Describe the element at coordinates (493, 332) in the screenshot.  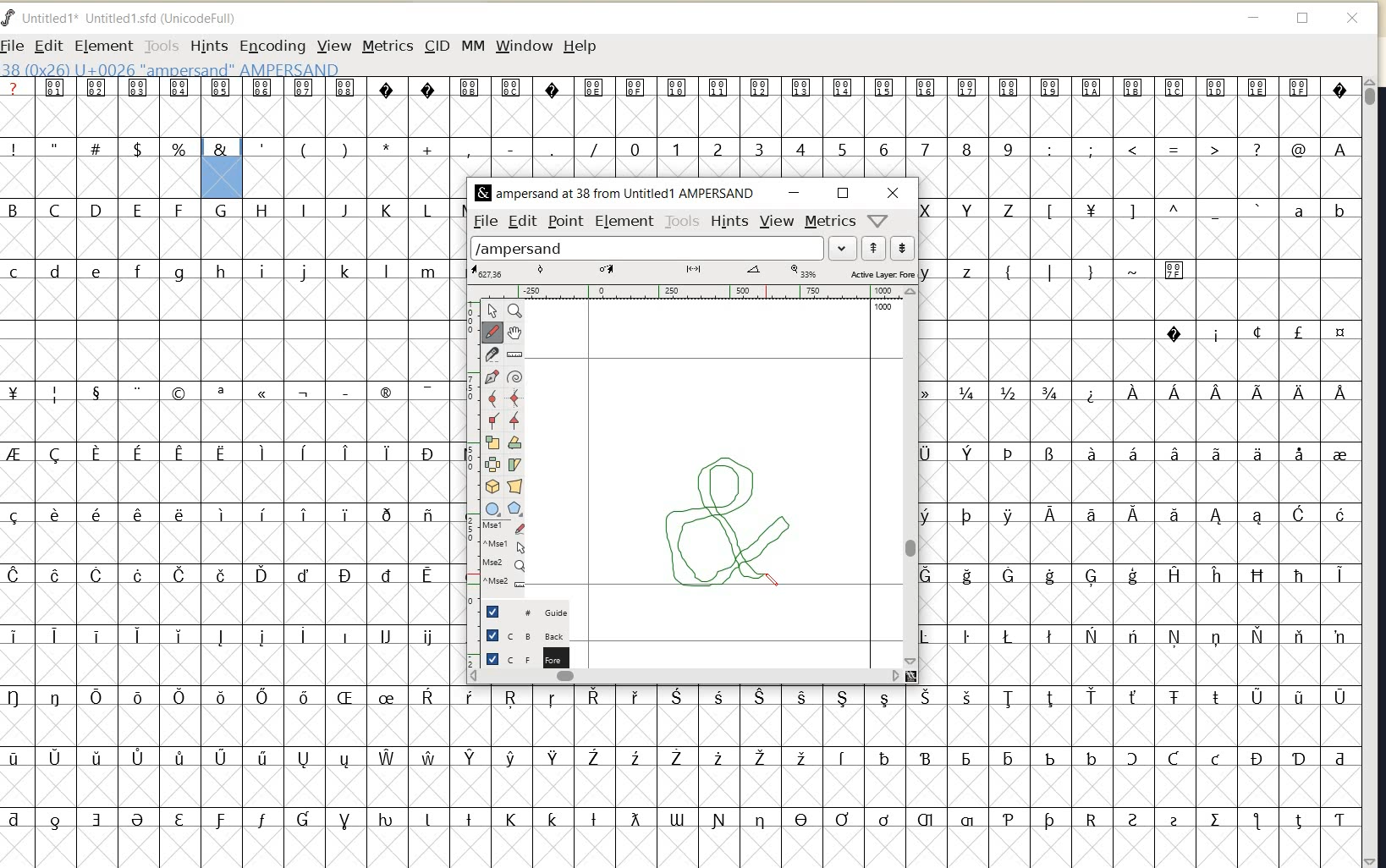
I see `draw a freehand curve` at that location.